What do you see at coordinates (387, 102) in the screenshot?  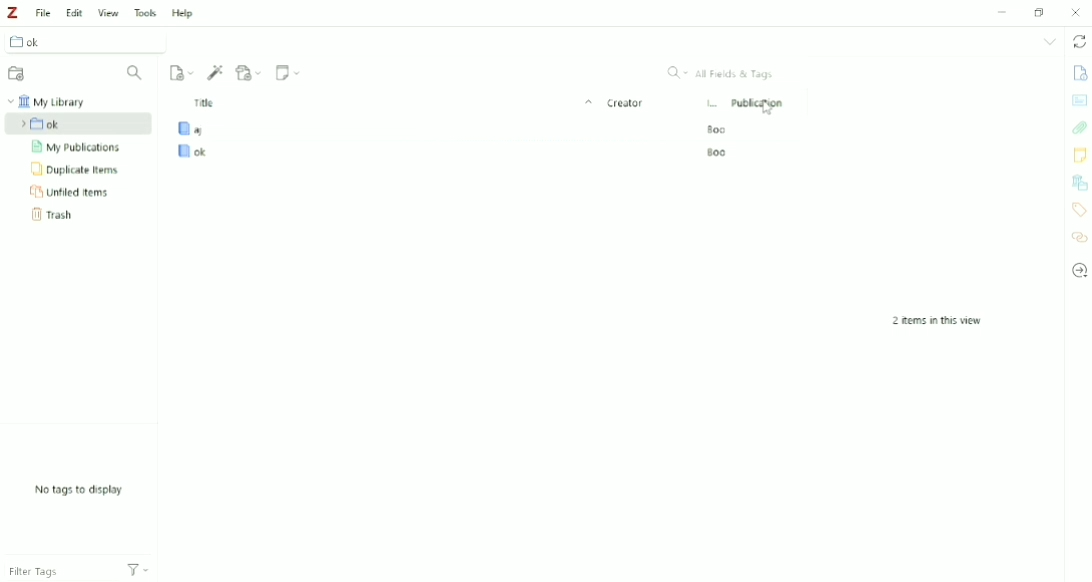 I see `Title` at bounding box center [387, 102].